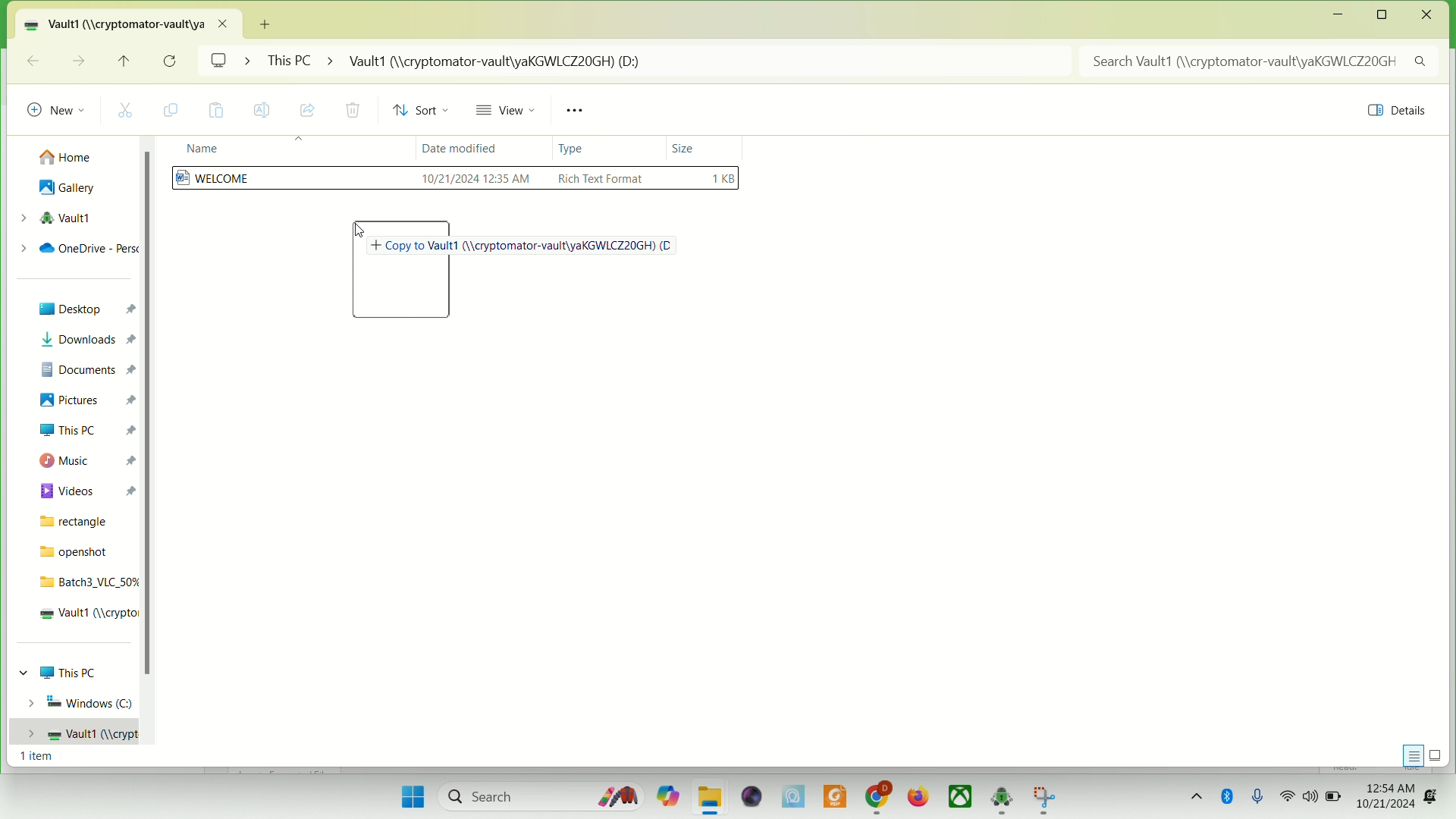 This screenshot has height=819, width=1456. I want to click on cut, so click(131, 109).